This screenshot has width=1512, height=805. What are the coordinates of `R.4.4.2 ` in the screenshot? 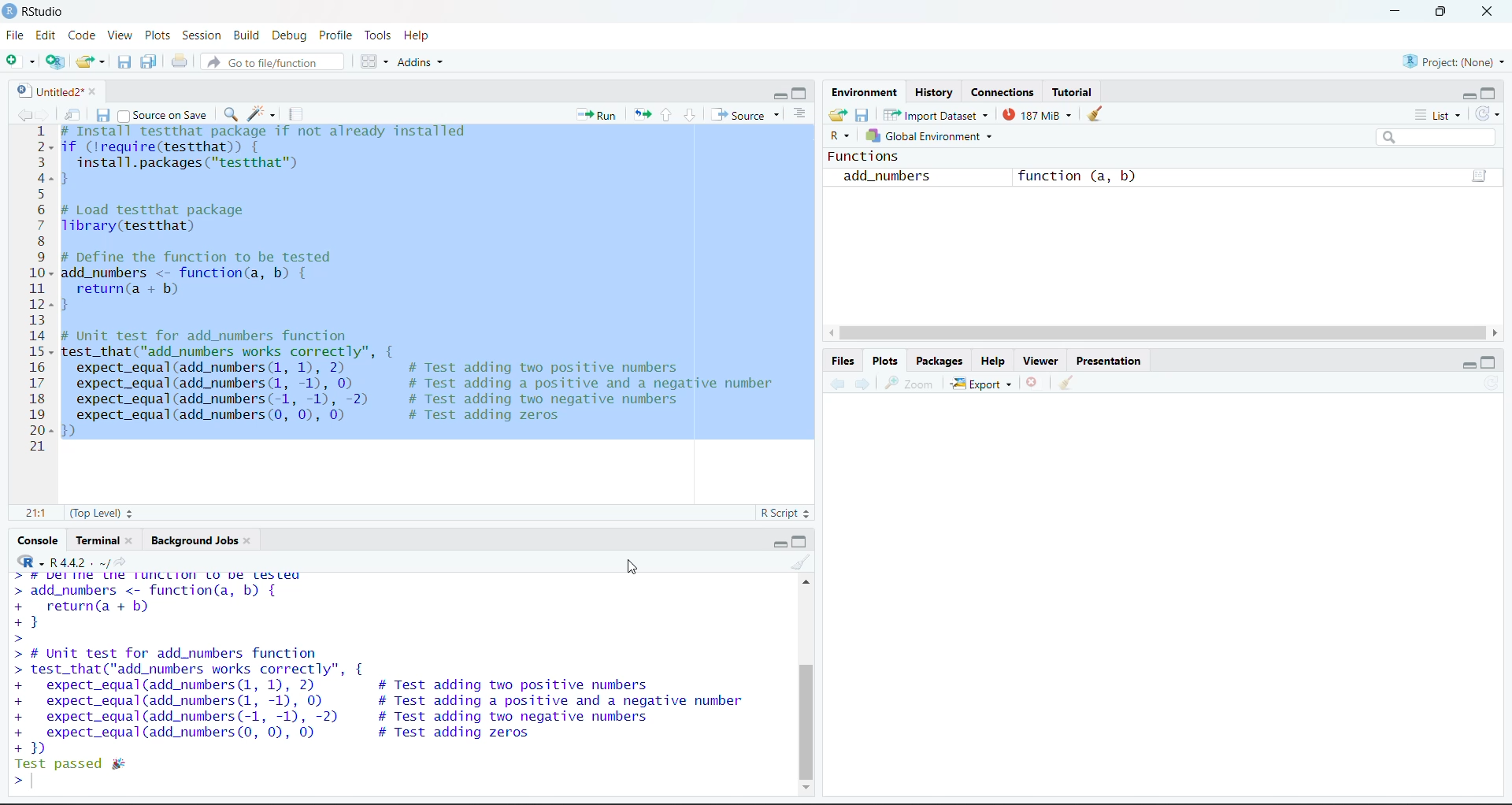 It's located at (56, 561).